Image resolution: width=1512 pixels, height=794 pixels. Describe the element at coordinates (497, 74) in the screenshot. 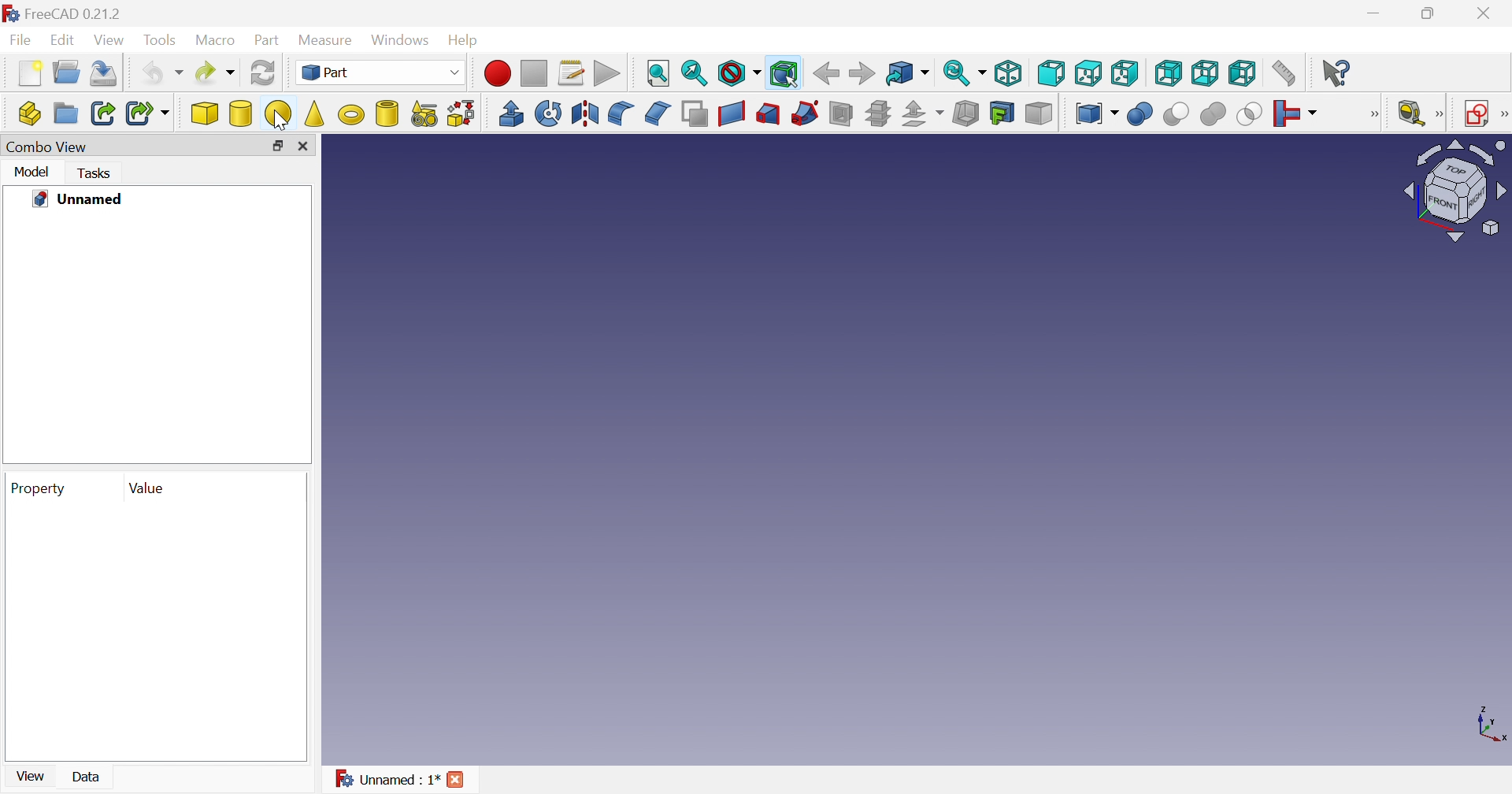

I see `Macro recording...` at that location.